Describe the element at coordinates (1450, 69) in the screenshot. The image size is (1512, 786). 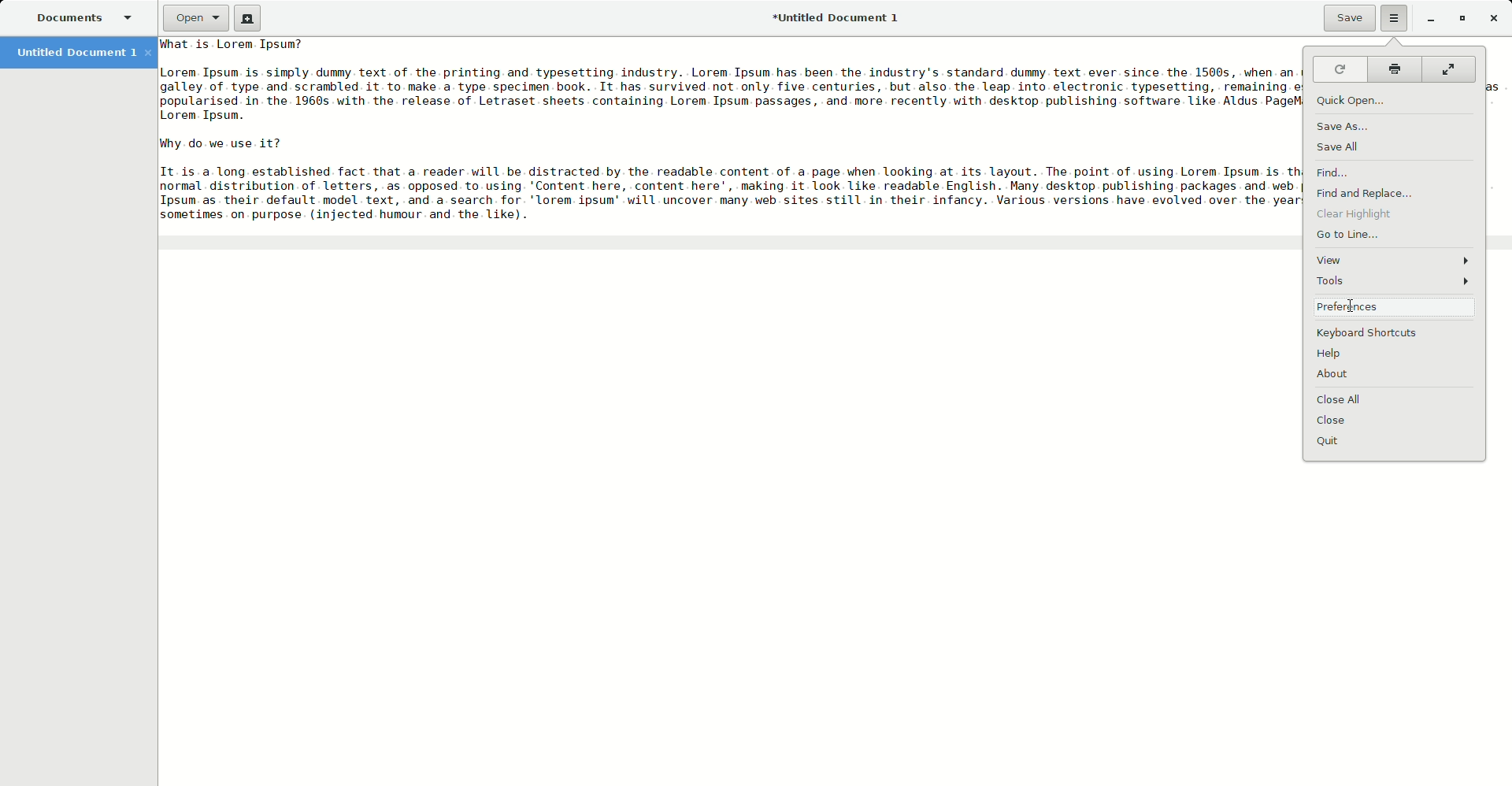
I see `Fullscreen` at that location.